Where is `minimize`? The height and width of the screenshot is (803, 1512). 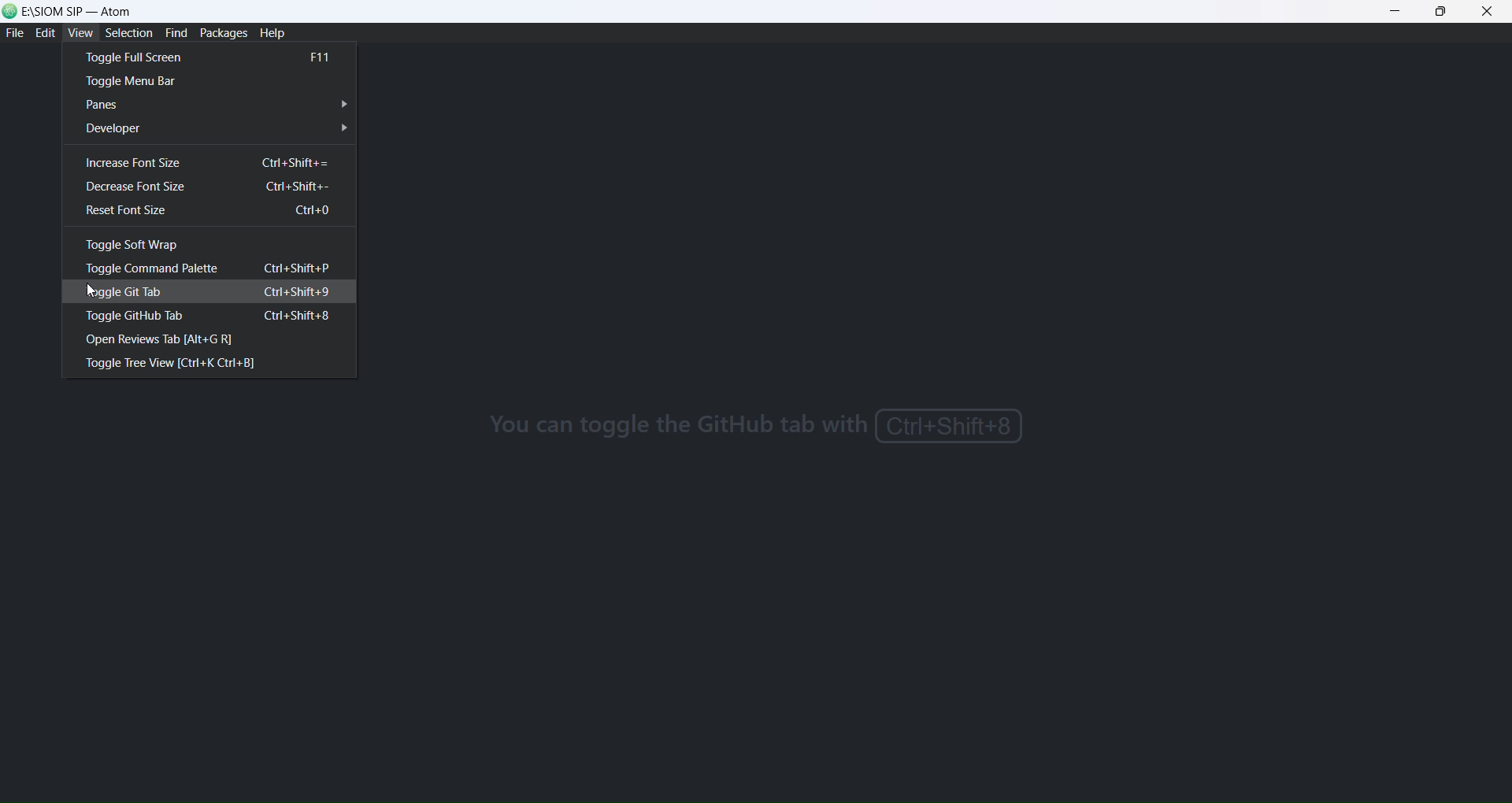 minimize is located at coordinates (1395, 9).